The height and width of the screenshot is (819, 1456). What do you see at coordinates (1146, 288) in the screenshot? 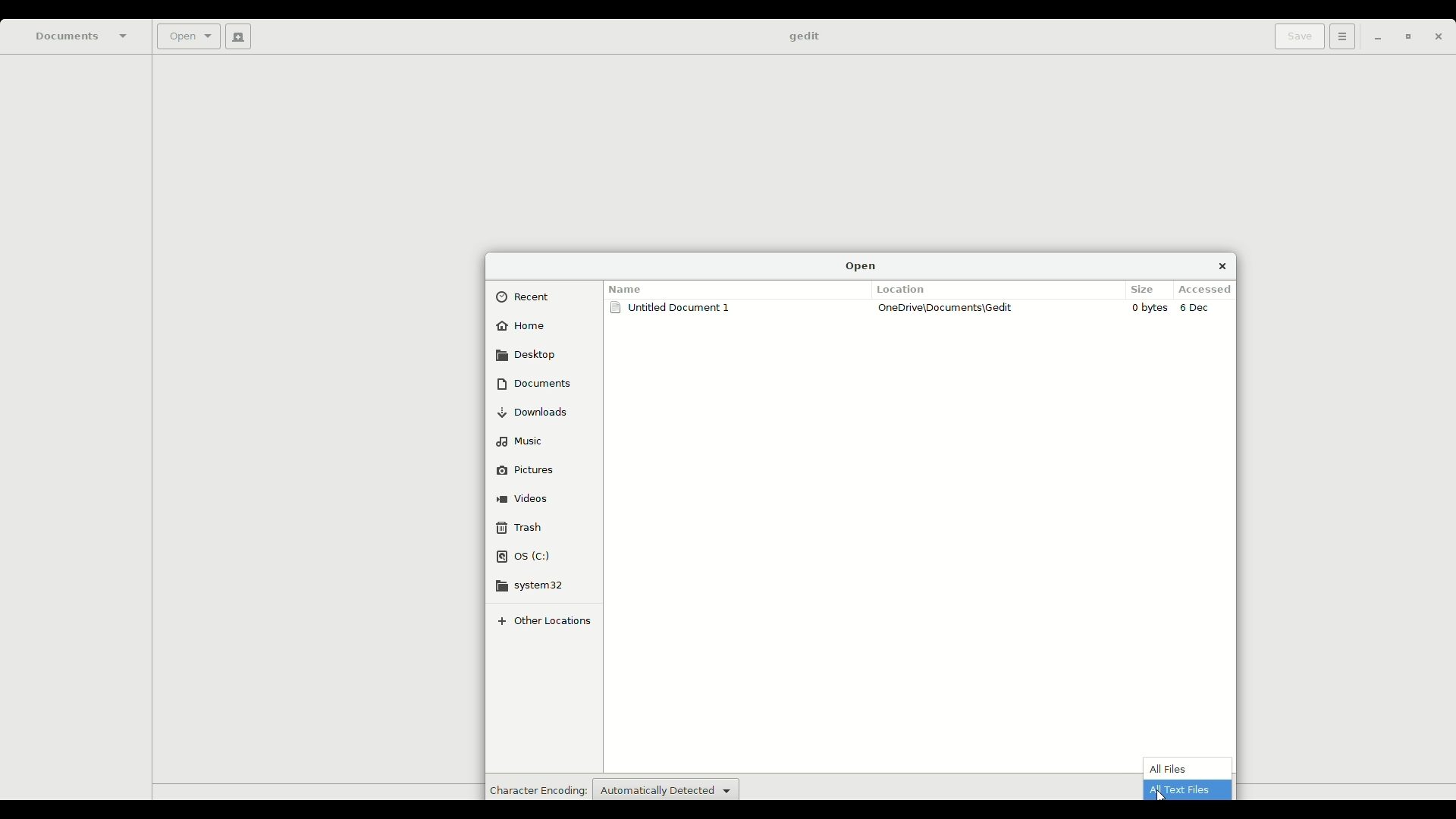
I see `Size` at bounding box center [1146, 288].